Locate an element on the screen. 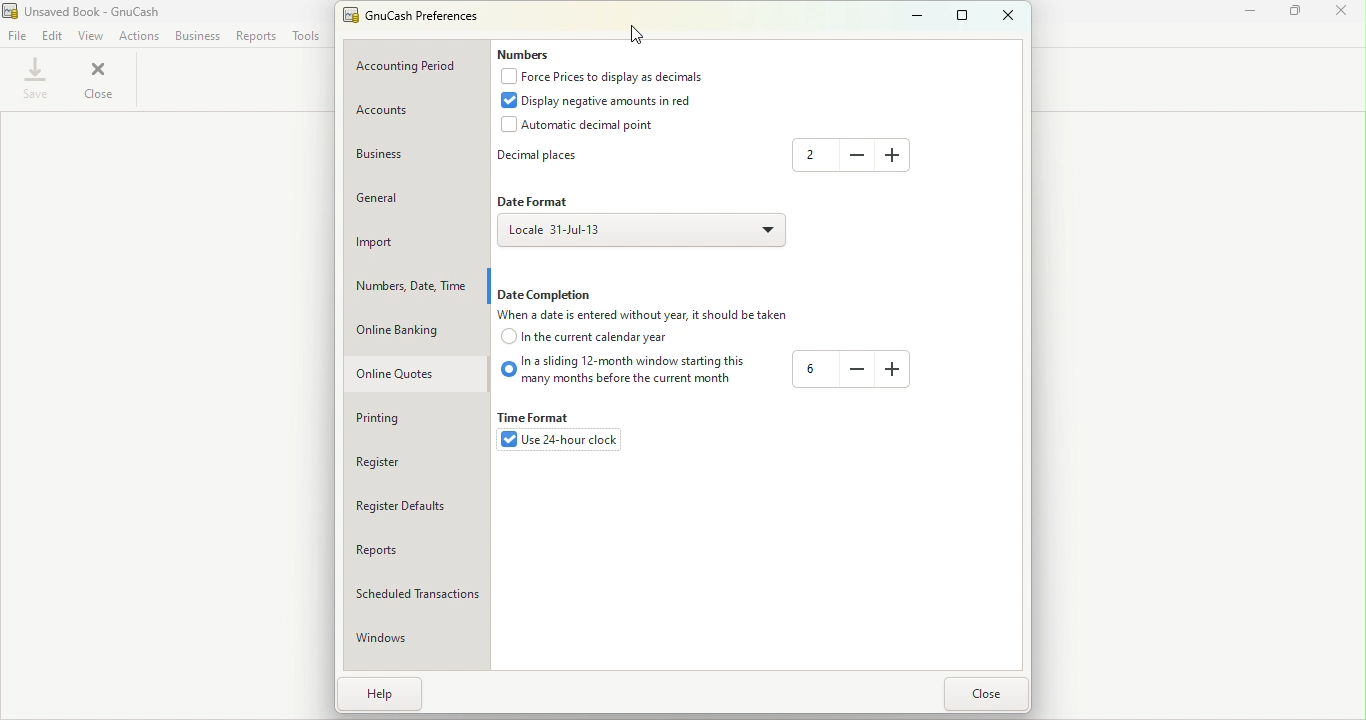  6 is located at coordinates (807, 369).